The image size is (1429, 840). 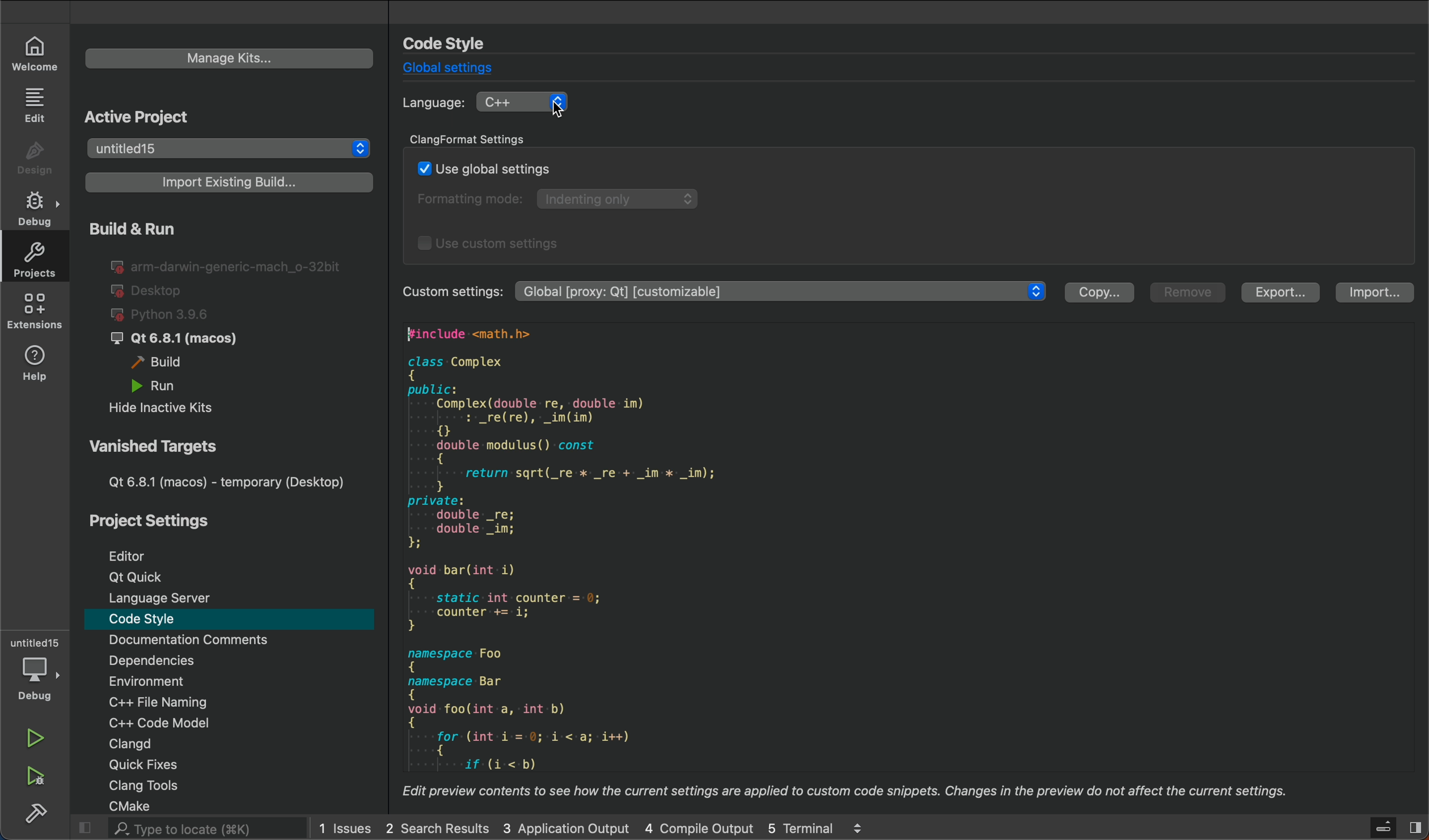 I want to click on welcome, so click(x=40, y=53).